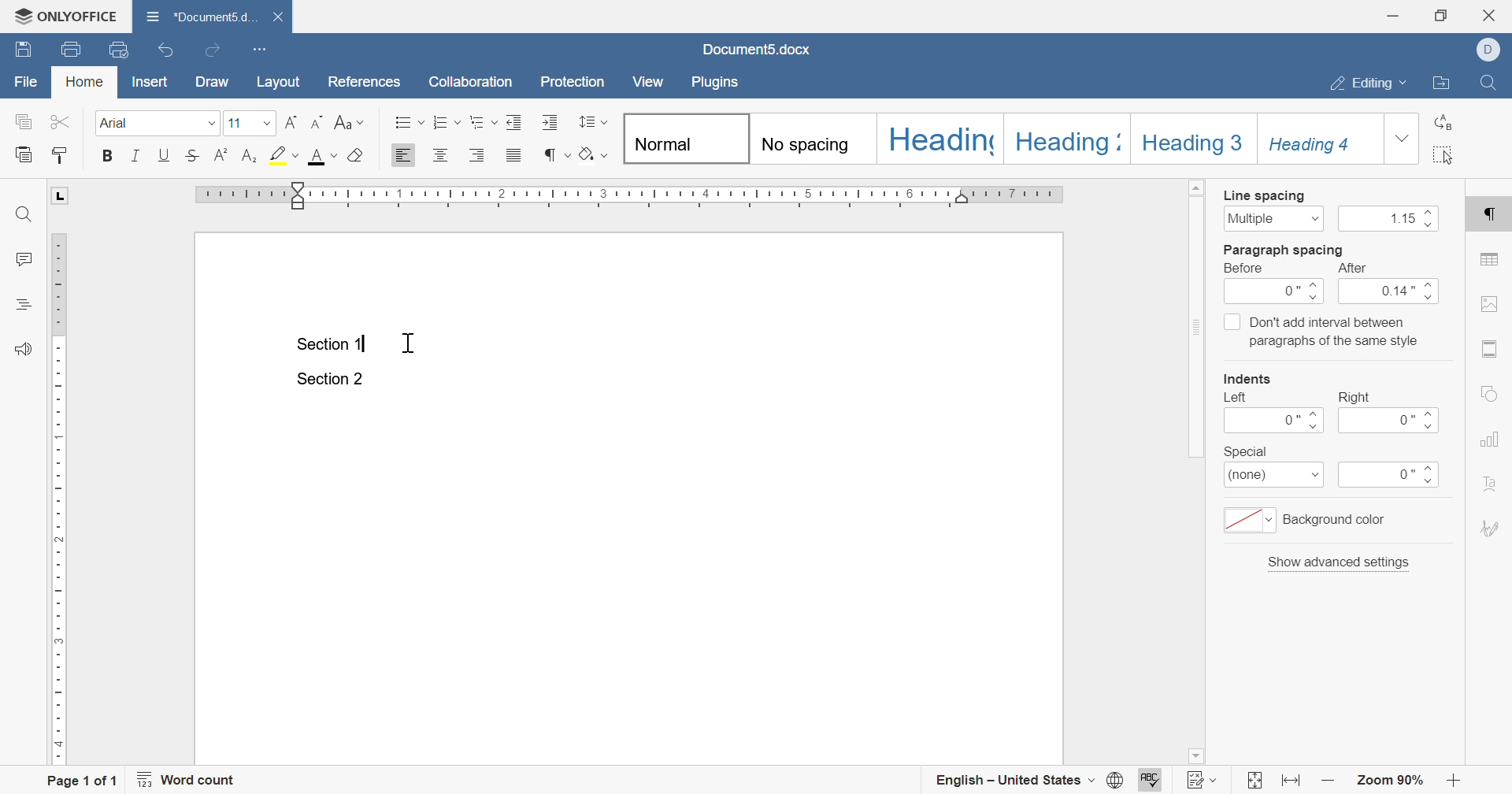 This screenshot has height=794, width=1512. Describe the element at coordinates (1329, 781) in the screenshot. I see `zoom in` at that location.